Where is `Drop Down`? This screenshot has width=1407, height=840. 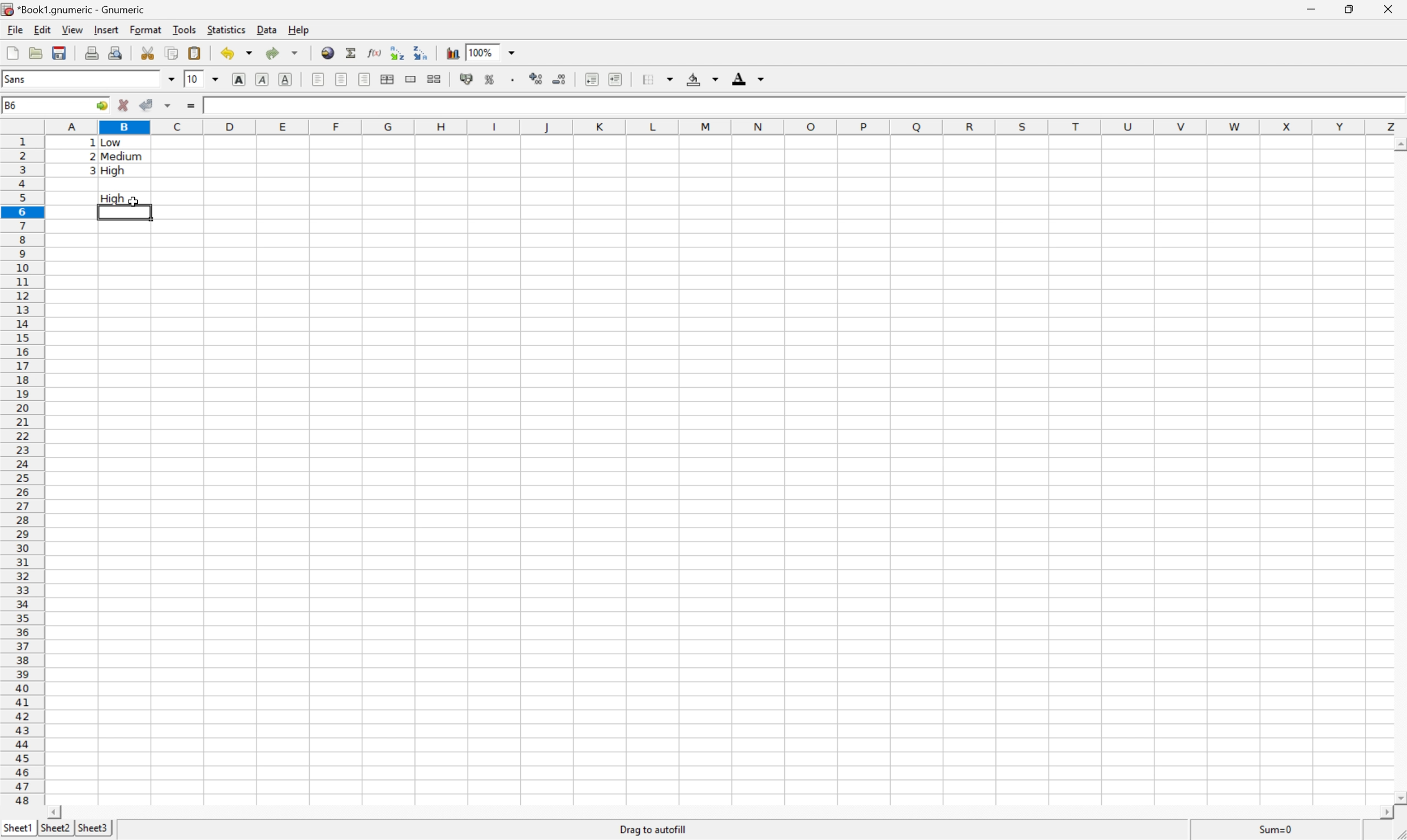 Drop Down is located at coordinates (171, 79).